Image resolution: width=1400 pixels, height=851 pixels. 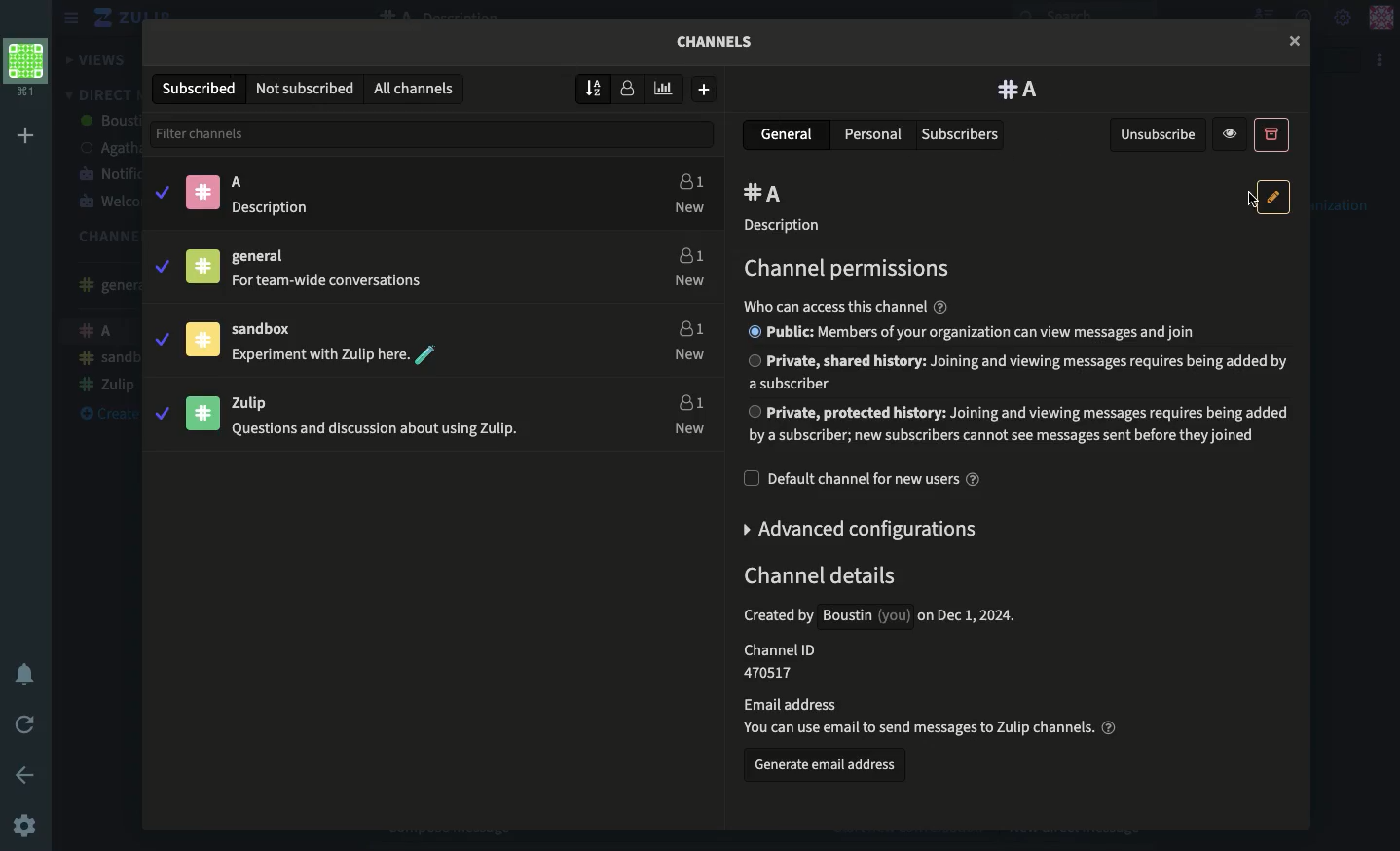 What do you see at coordinates (108, 203) in the screenshot?
I see `Welcome bot` at bounding box center [108, 203].